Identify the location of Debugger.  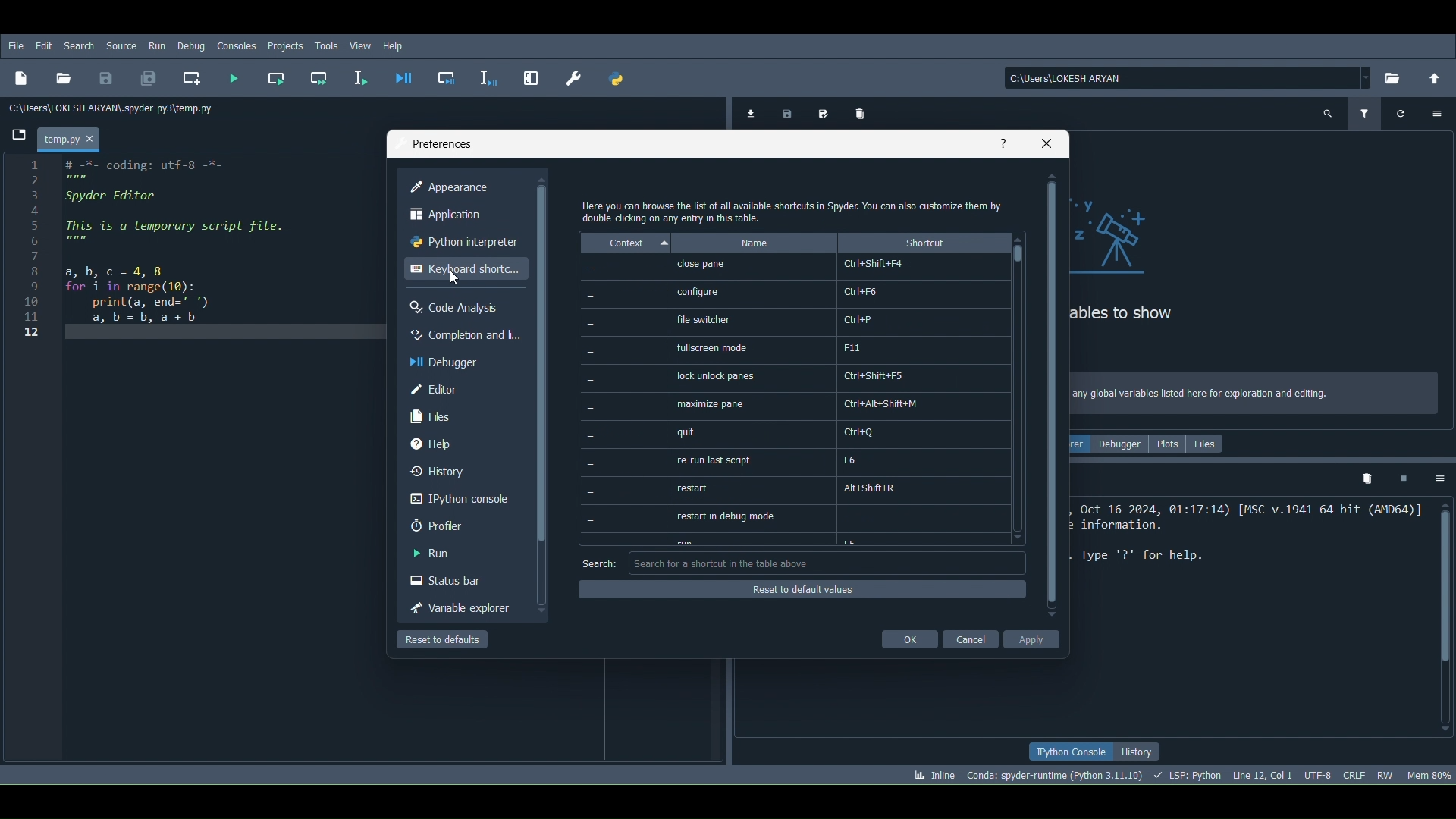
(460, 364).